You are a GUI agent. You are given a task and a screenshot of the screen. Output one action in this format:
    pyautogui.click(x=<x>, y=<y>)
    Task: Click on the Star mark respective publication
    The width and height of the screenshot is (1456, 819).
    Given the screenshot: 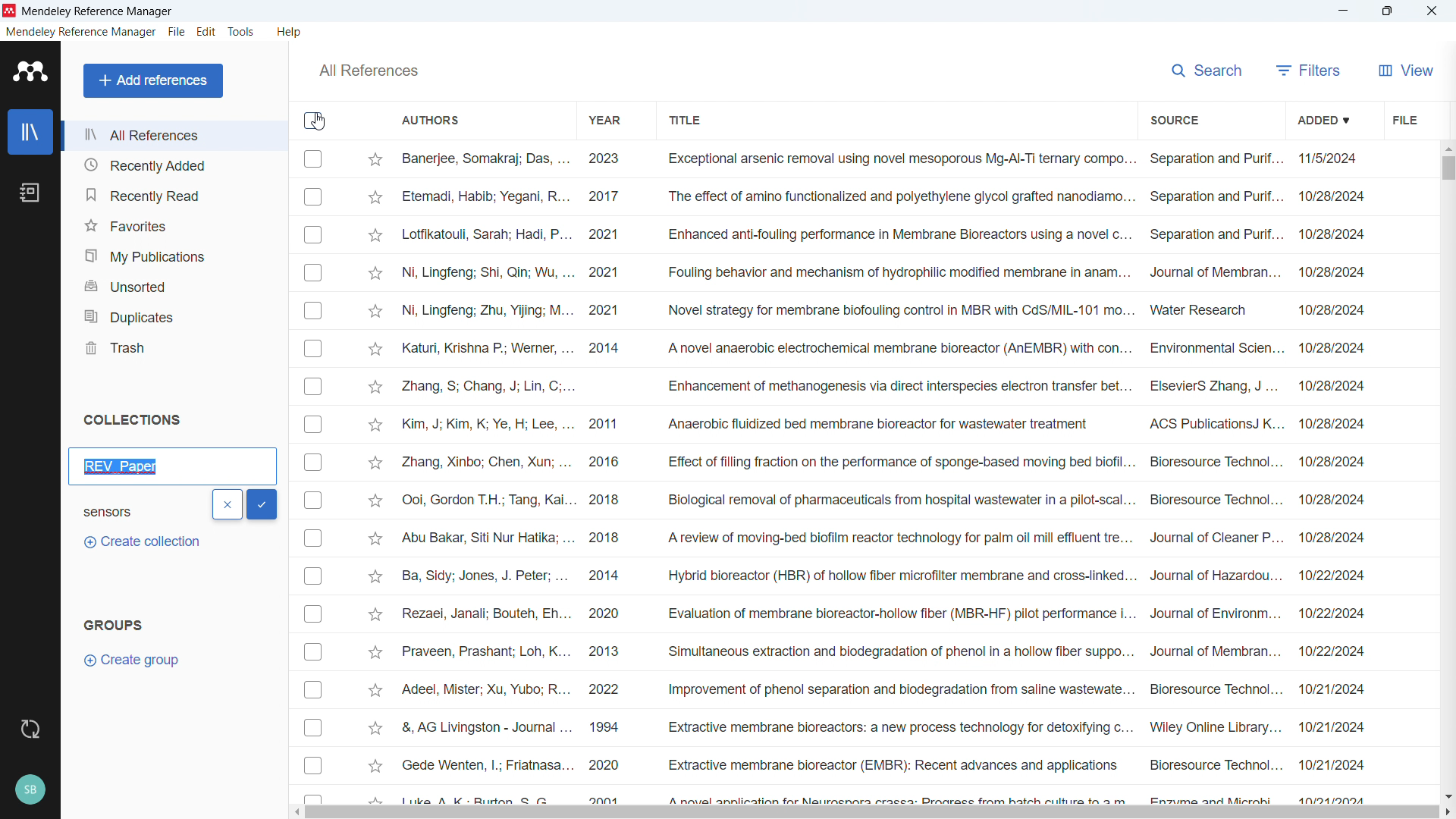 What is the action you would take?
    pyautogui.click(x=375, y=500)
    